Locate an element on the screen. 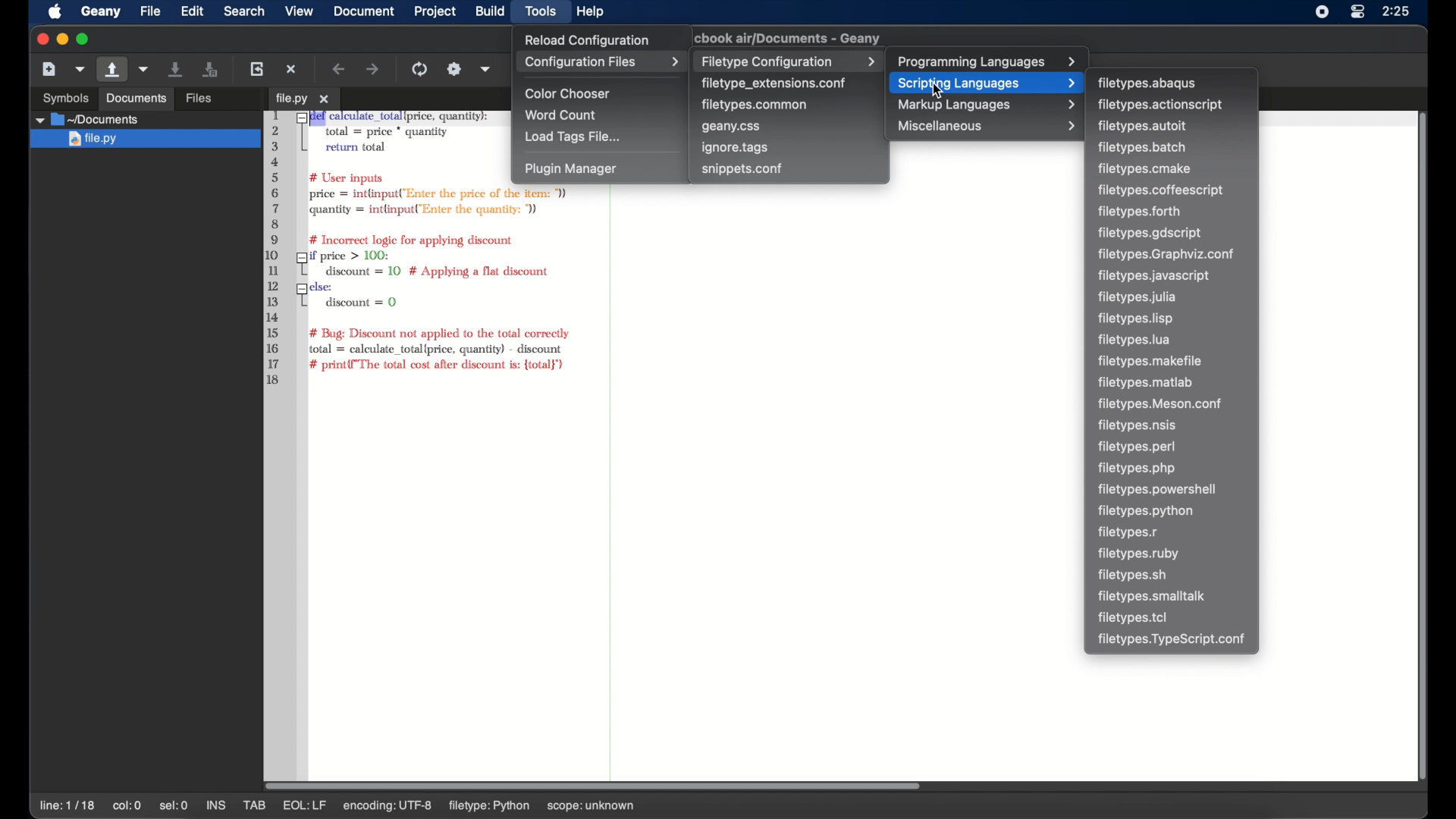 The image size is (1456, 819). build is located at coordinates (490, 11).